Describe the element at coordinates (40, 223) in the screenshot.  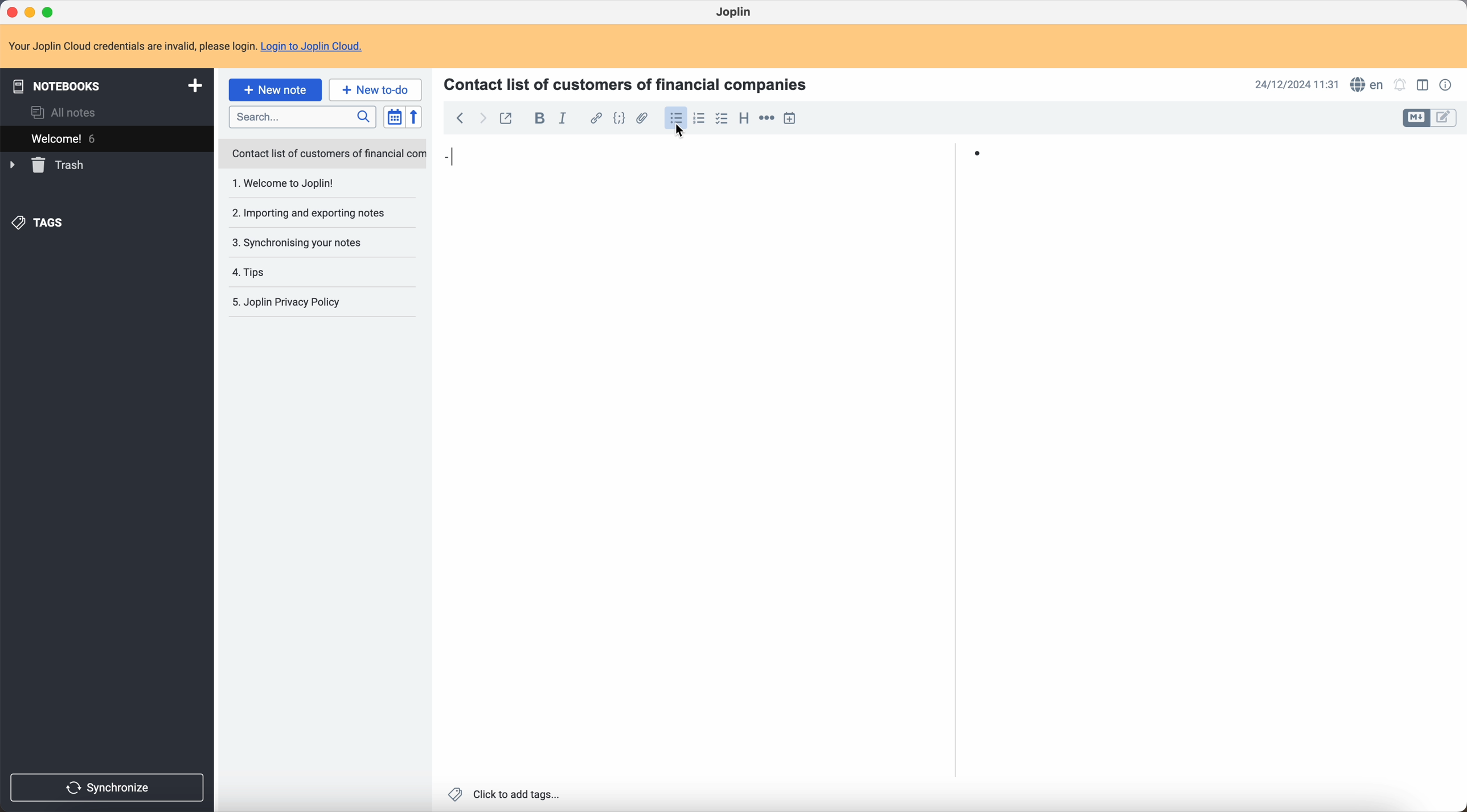
I see `tags` at that location.